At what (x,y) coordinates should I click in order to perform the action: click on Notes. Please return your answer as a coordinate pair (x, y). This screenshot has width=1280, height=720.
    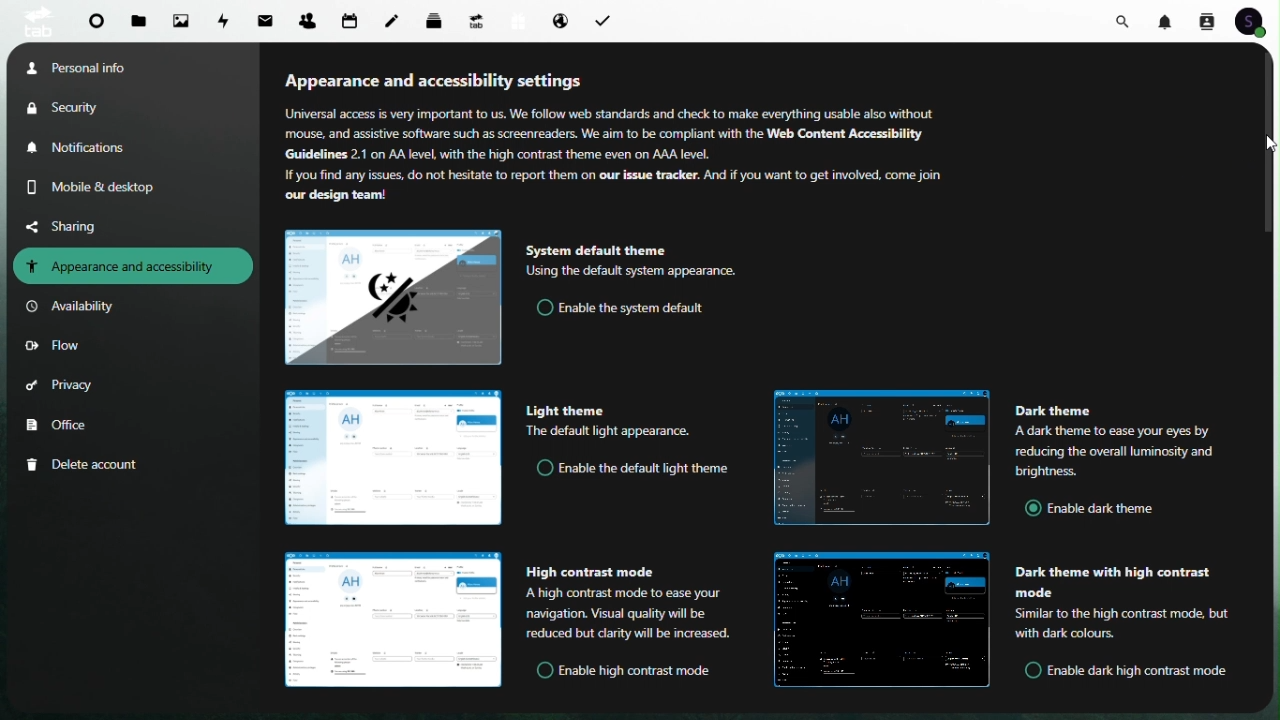
    Looking at the image, I should click on (397, 16).